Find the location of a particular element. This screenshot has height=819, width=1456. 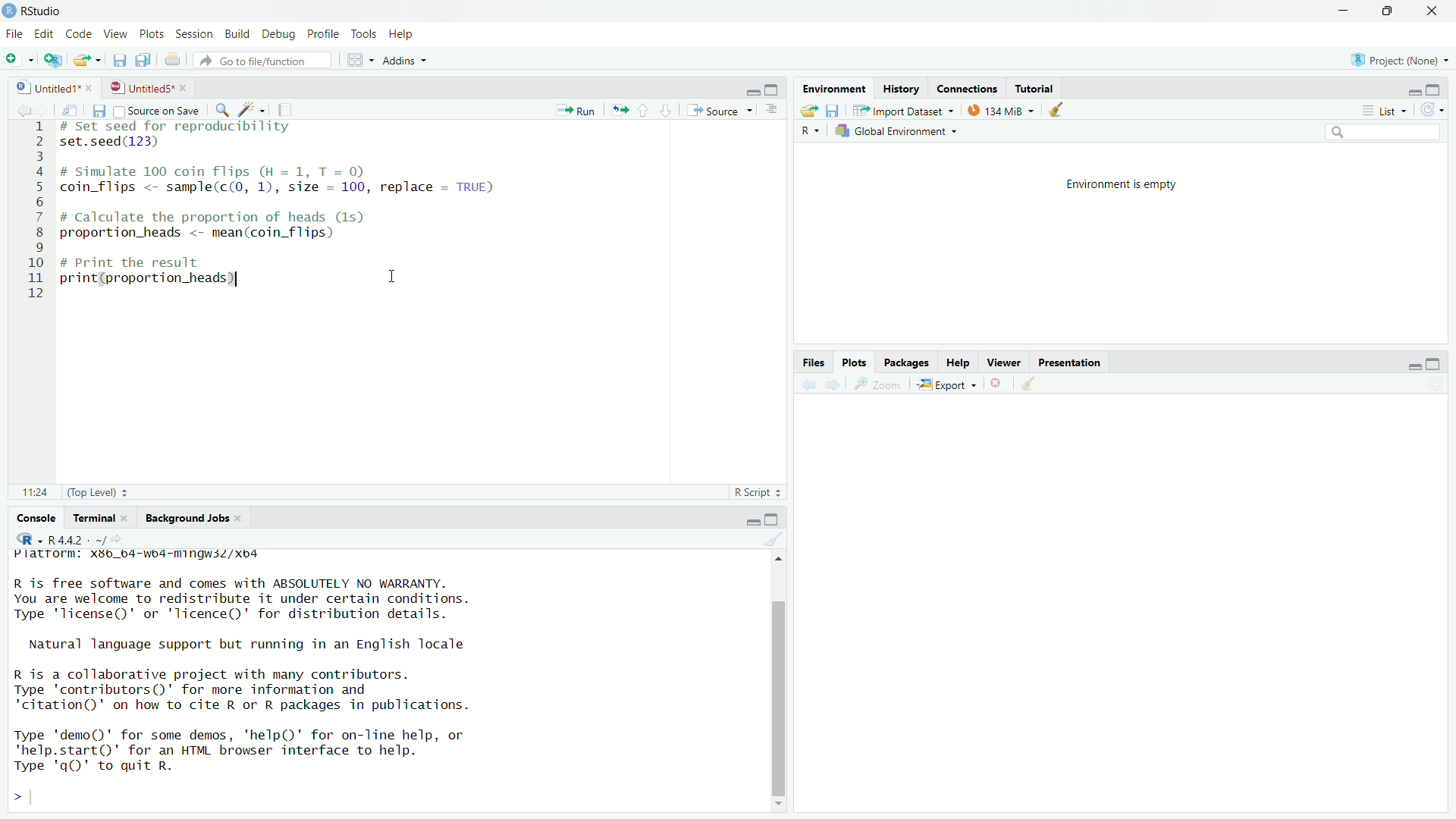

select language is located at coordinates (812, 132).